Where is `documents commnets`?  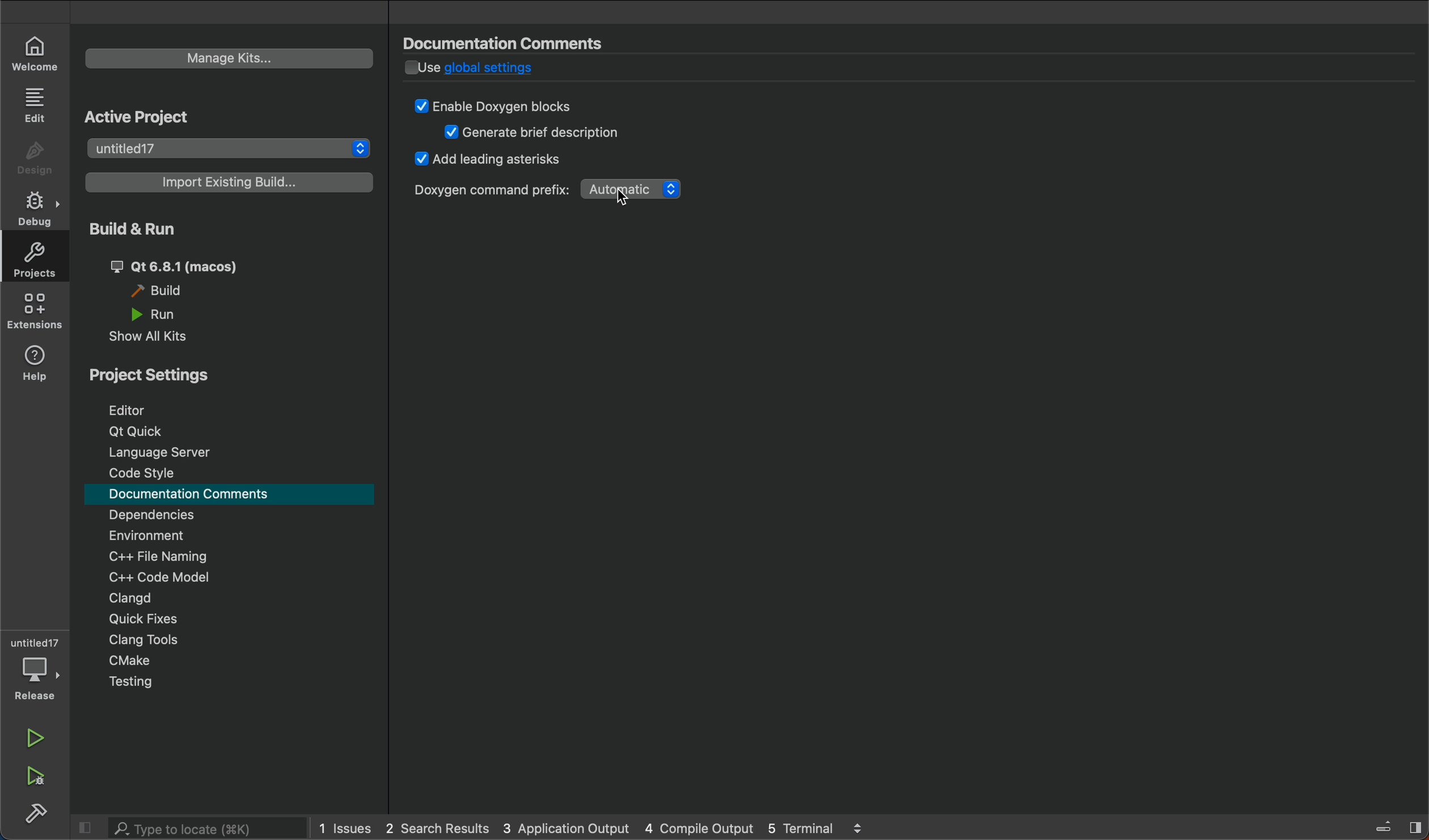
documents commnets is located at coordinates (514, 43).